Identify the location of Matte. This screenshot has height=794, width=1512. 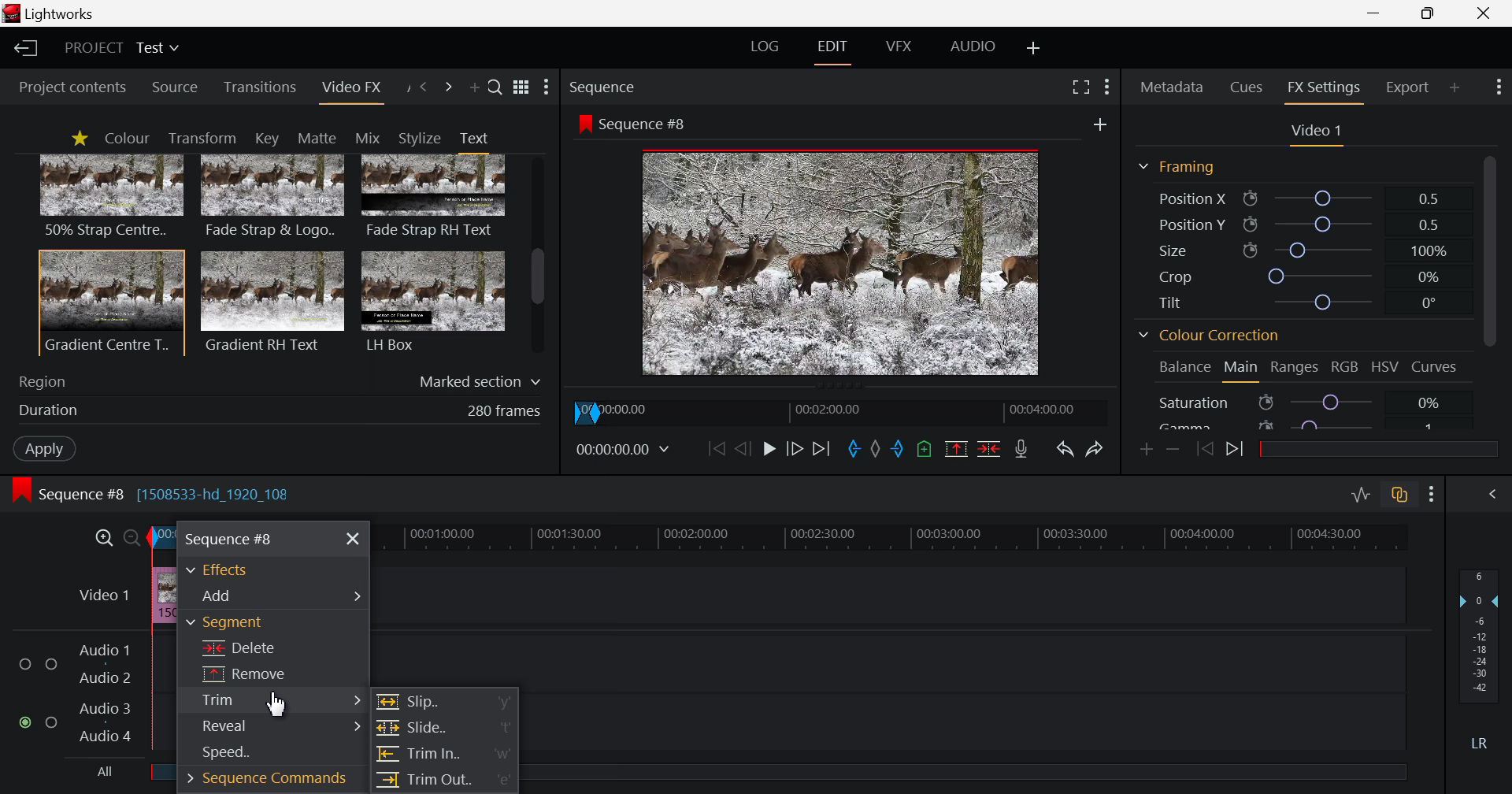
(316, 137).